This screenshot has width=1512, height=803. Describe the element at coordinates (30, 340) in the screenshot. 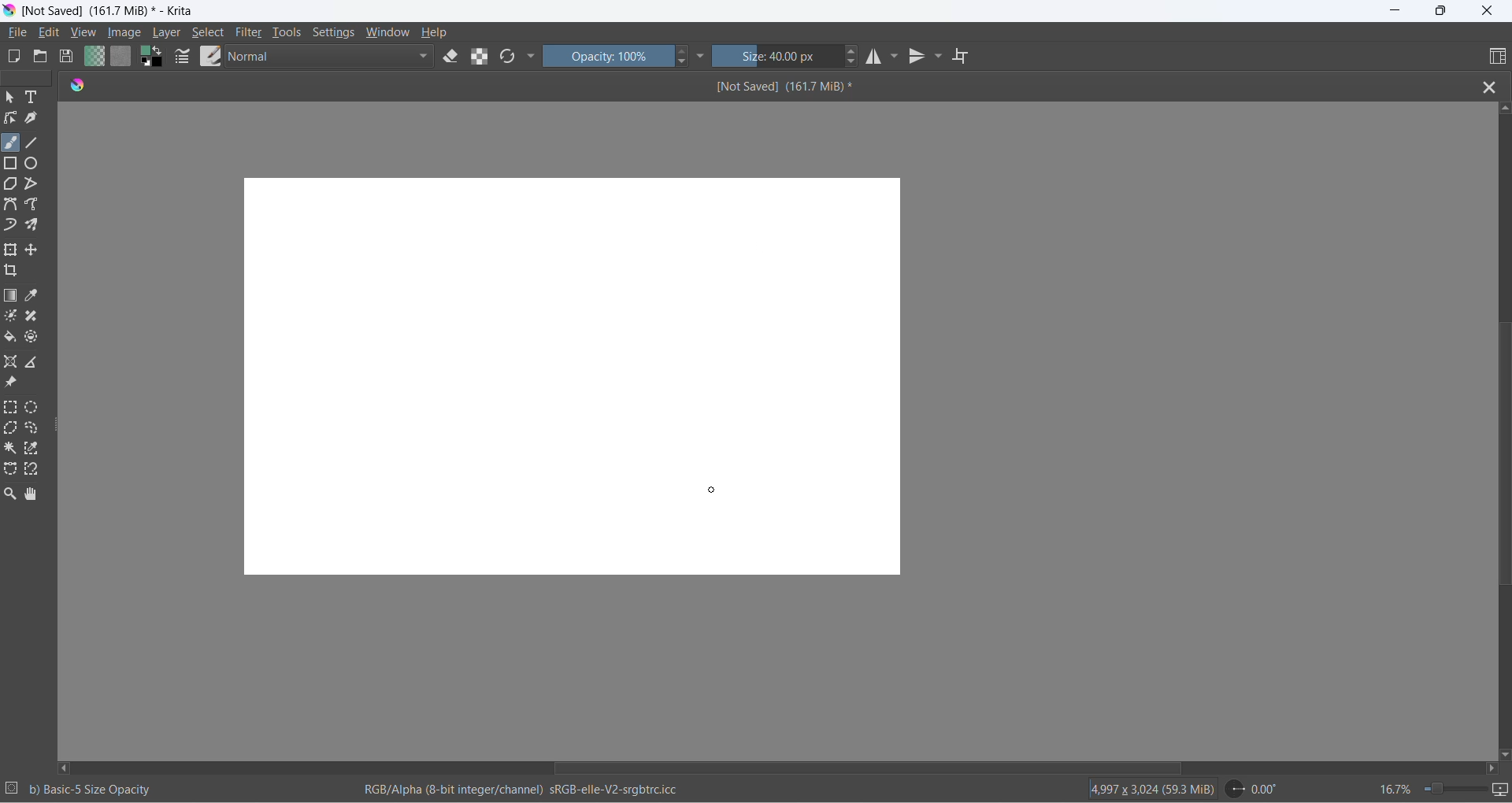

I see `enclose and fill tool` at that location.